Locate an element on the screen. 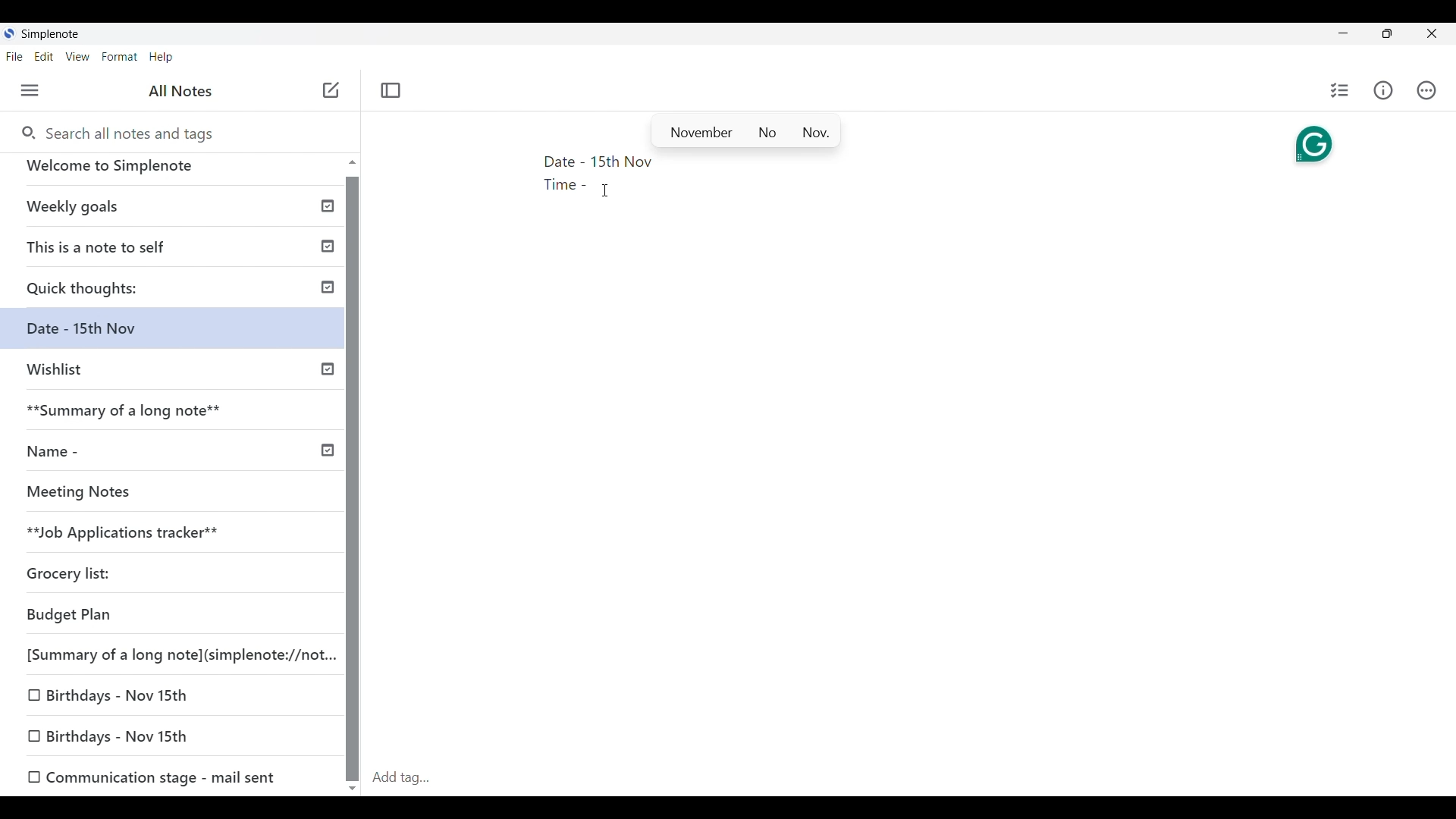 The image size is (1456, 819). Search all notes and tags is located at coordinates (116, 132).